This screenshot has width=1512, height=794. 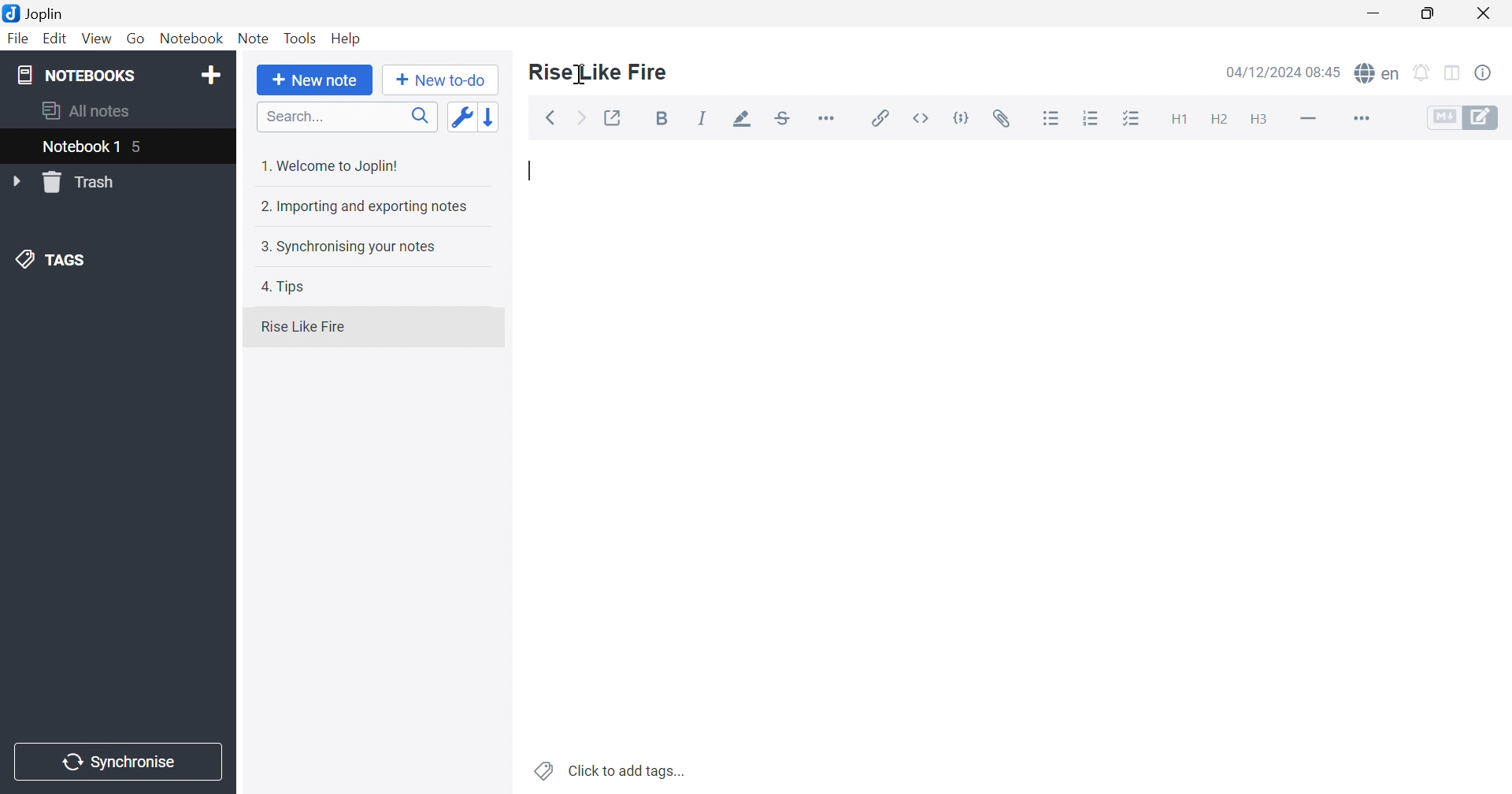 I want to click on Forward, so click(x=580, y=117).